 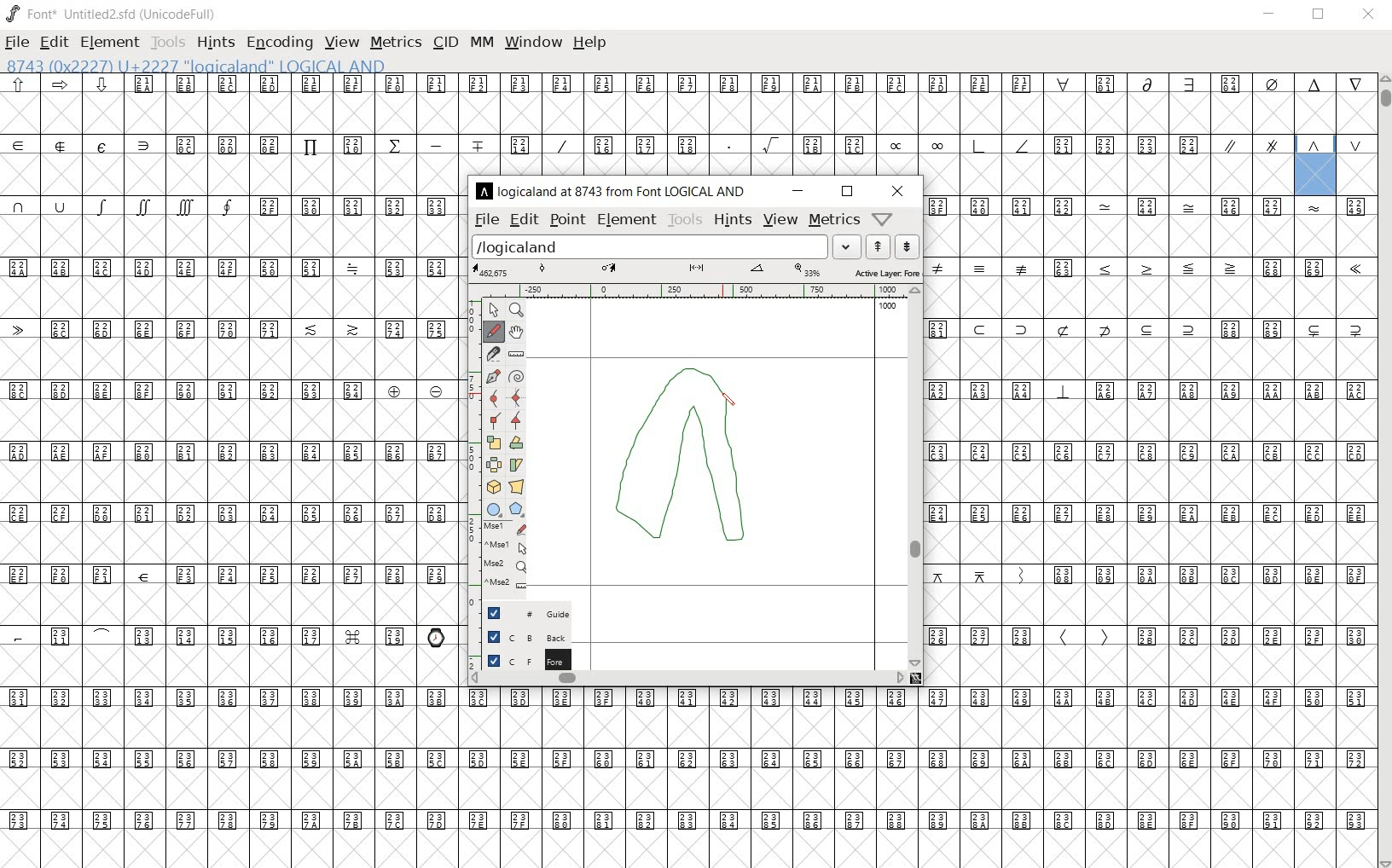 What do you see at coordinates (532, 42) in the screenshot?
I see `window` at bounding box center [532, 42].